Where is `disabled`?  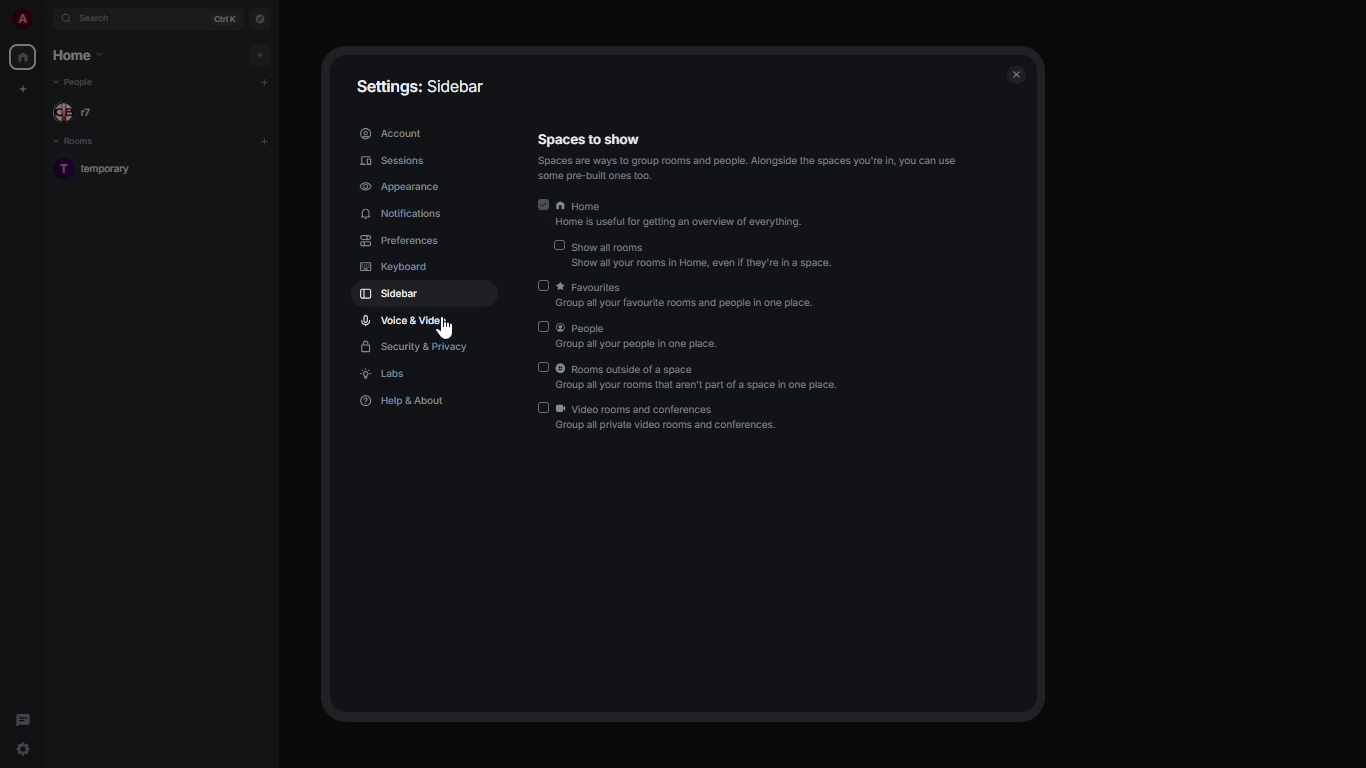
disabled is located at coordinates (542, 408).